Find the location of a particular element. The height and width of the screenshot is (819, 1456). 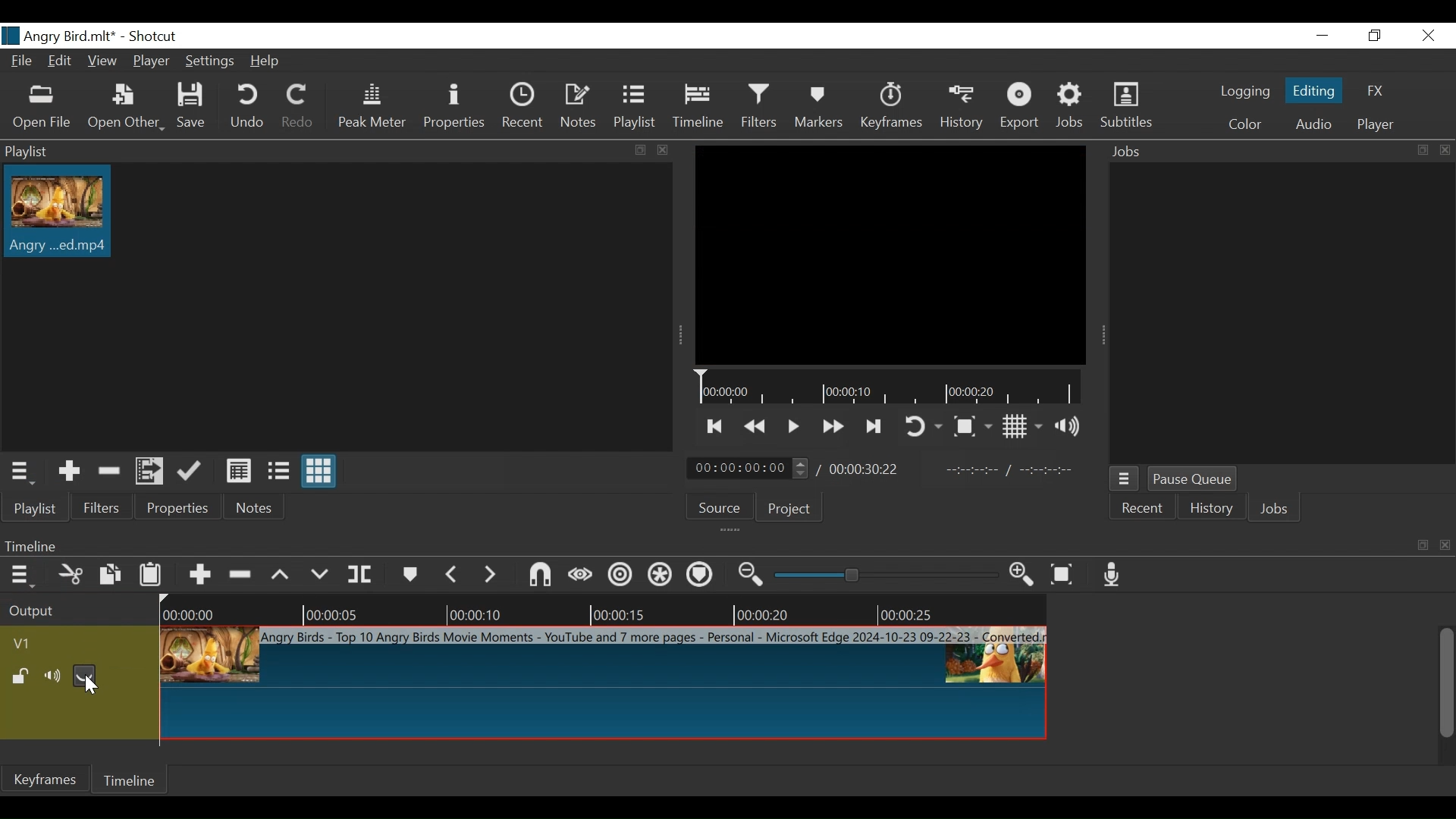

History is located at coordinates (961, 107).